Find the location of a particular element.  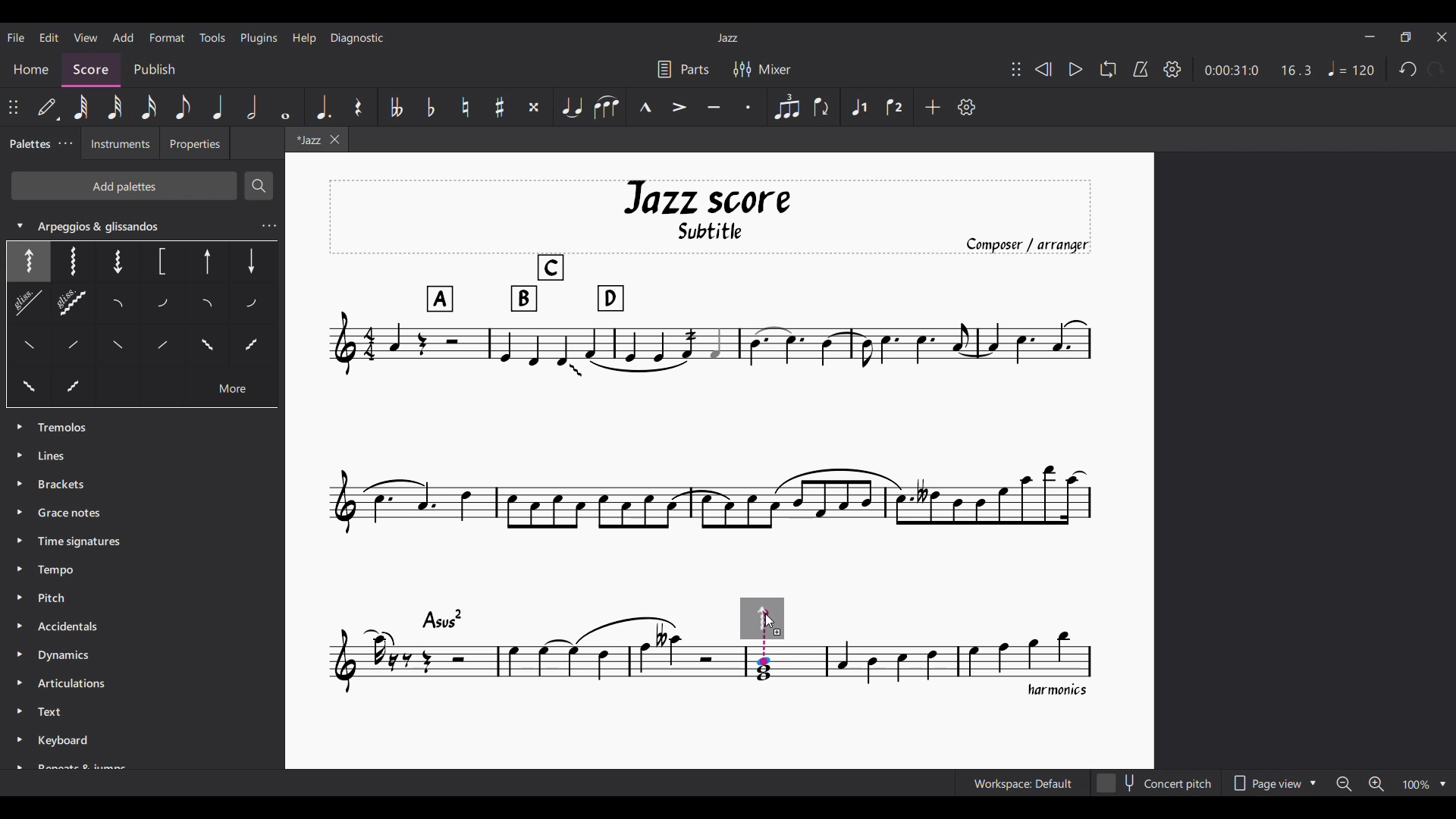

Page view options is located at coordinates (1276, 783).